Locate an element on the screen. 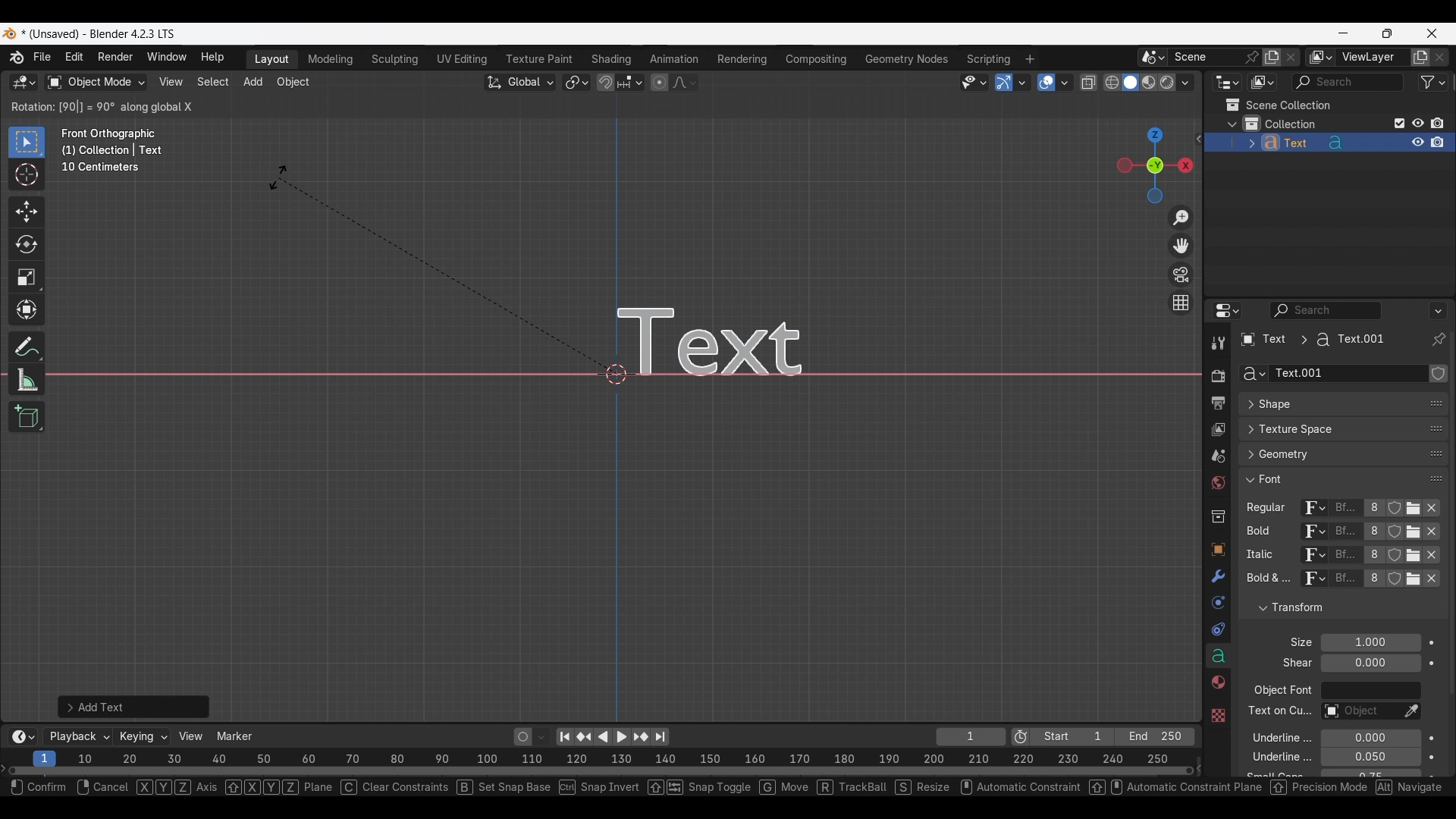 The width and height of the screenshot is (1456, 819). Viewport shading, solid is located at coordinates (1130, 83).